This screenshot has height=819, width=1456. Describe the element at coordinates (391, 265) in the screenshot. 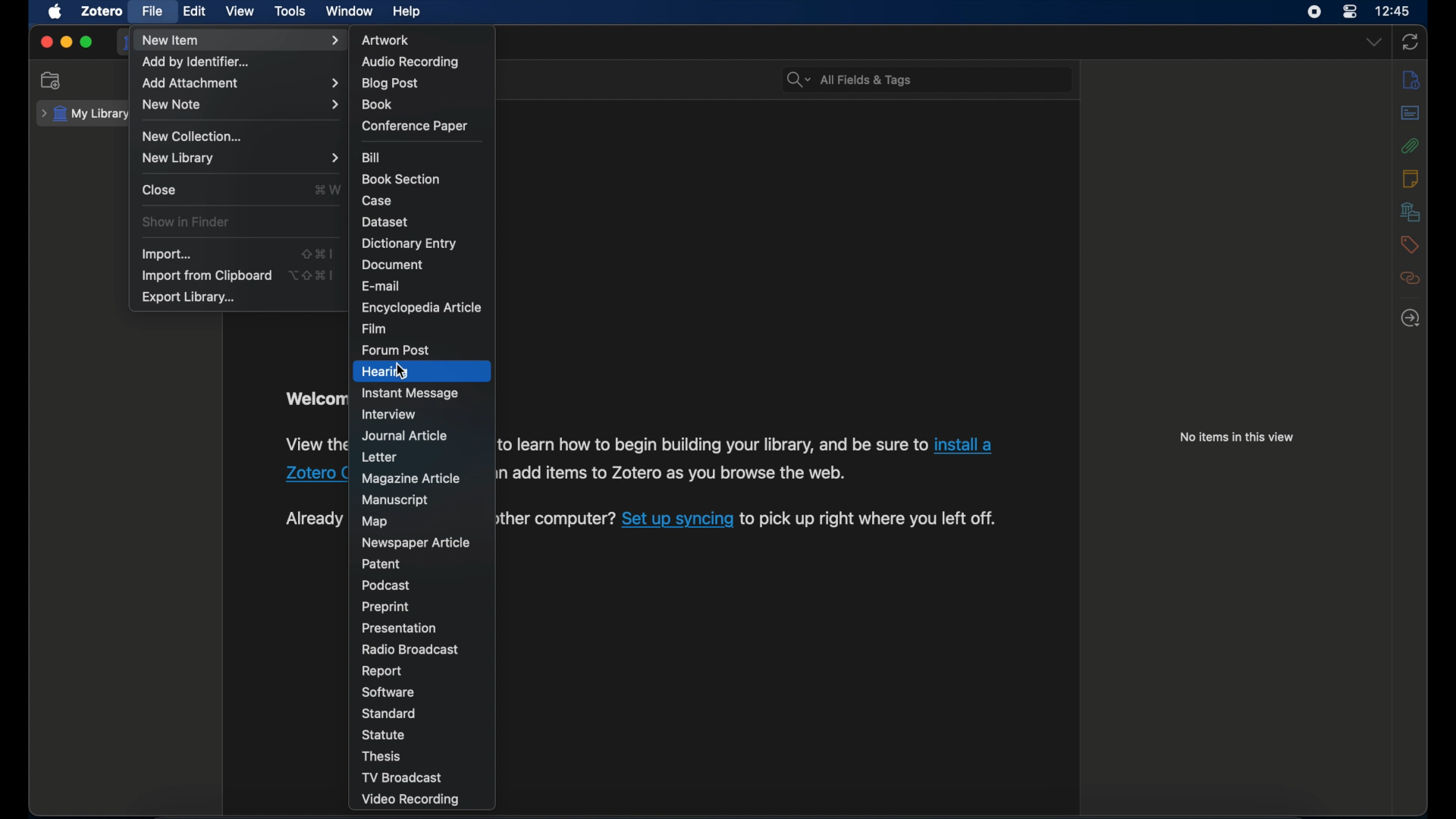

I see `document` at that location.